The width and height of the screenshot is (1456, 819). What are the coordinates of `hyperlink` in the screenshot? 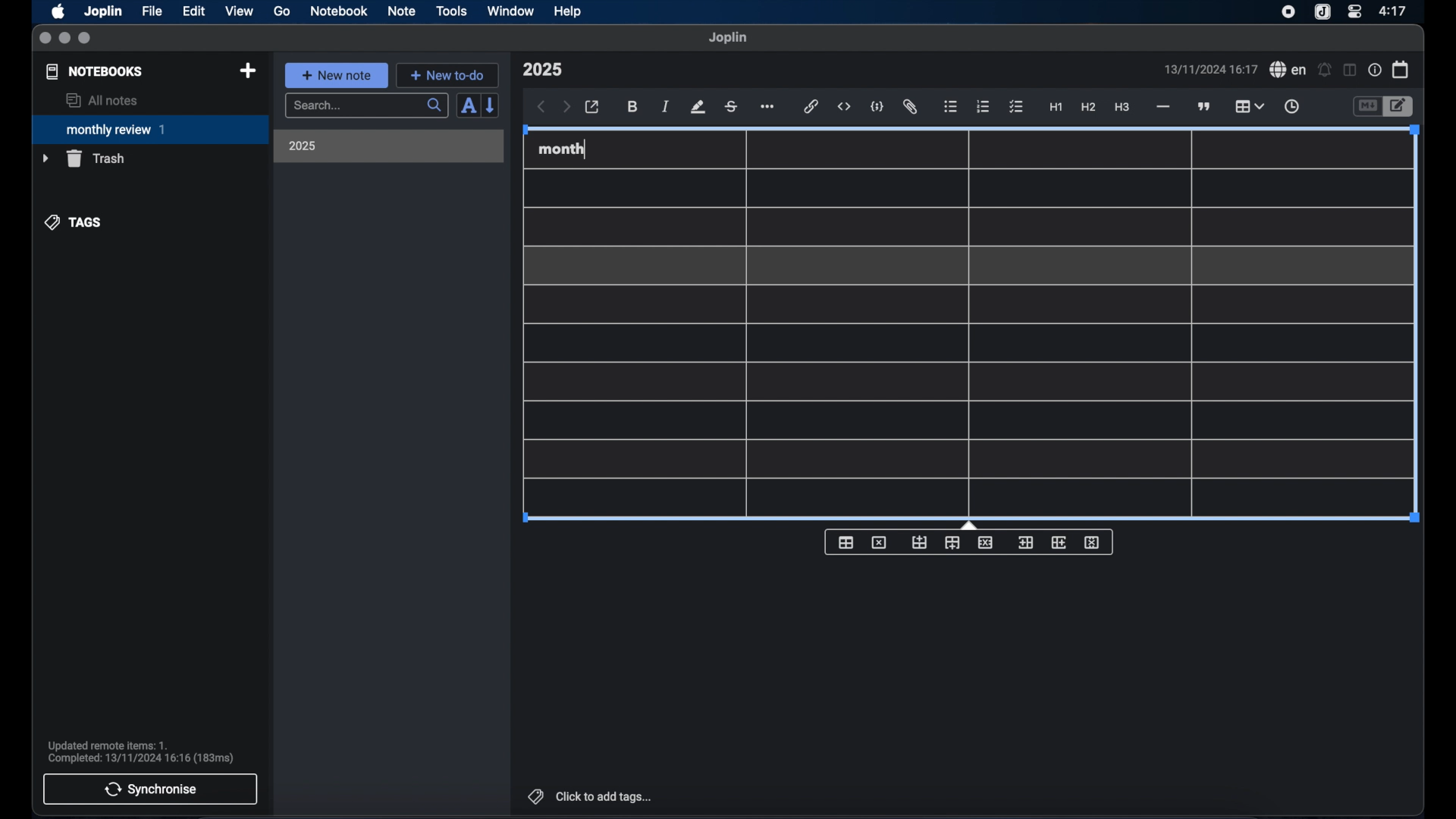 It's located at (811, 106).